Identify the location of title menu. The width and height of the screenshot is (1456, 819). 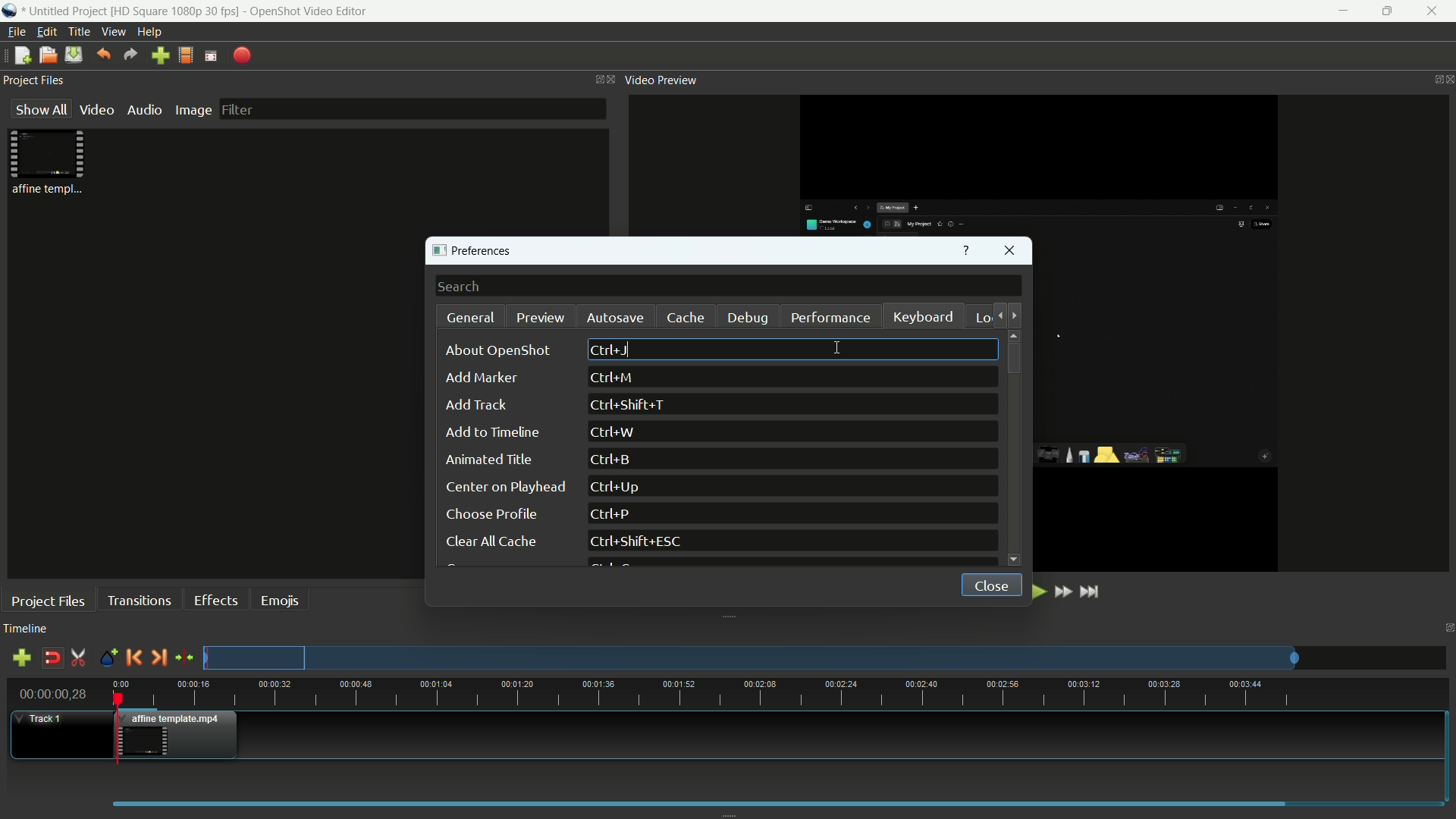
(79, 31).